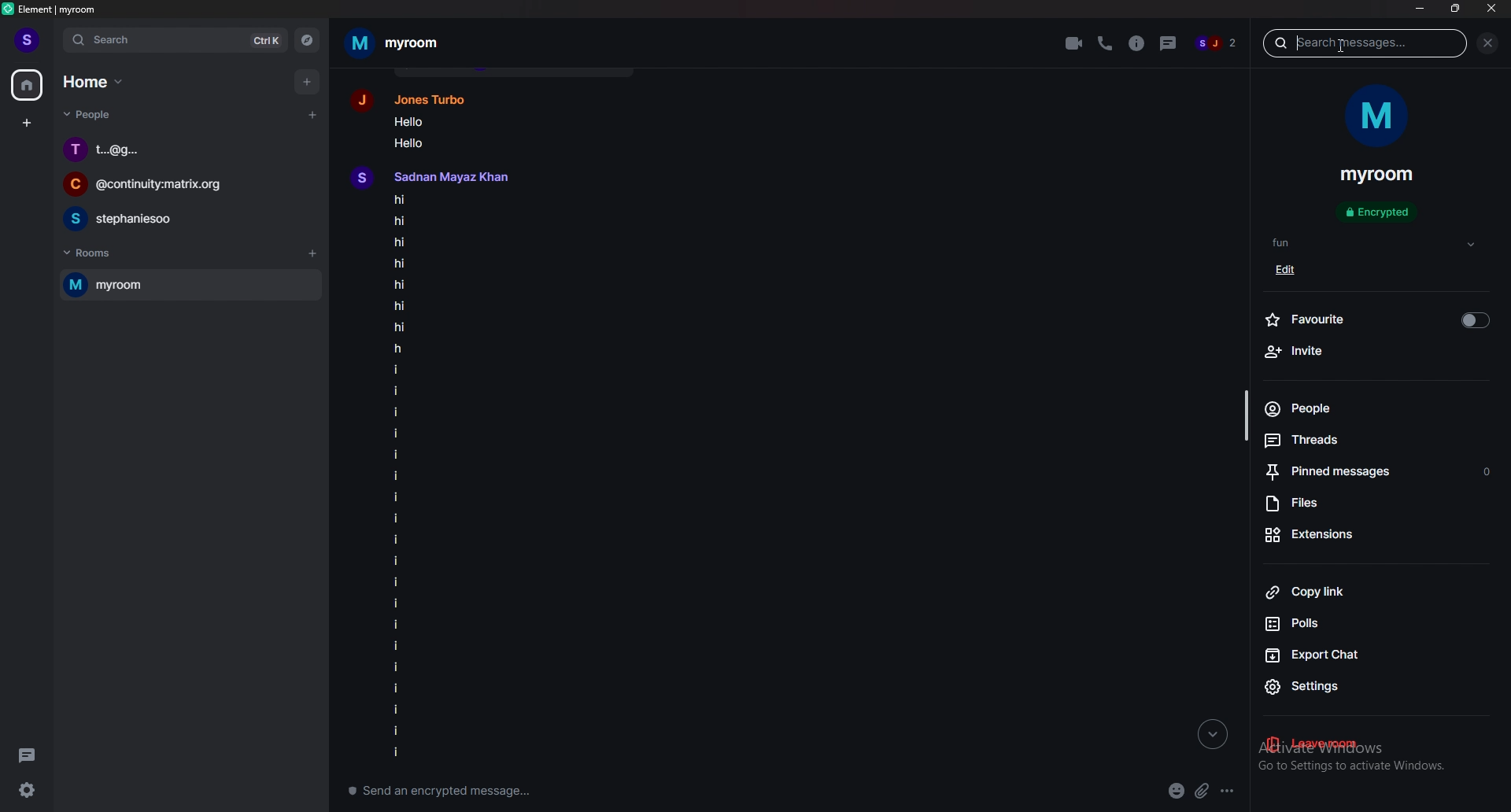  I want to click on user profile, so click(421, 97).